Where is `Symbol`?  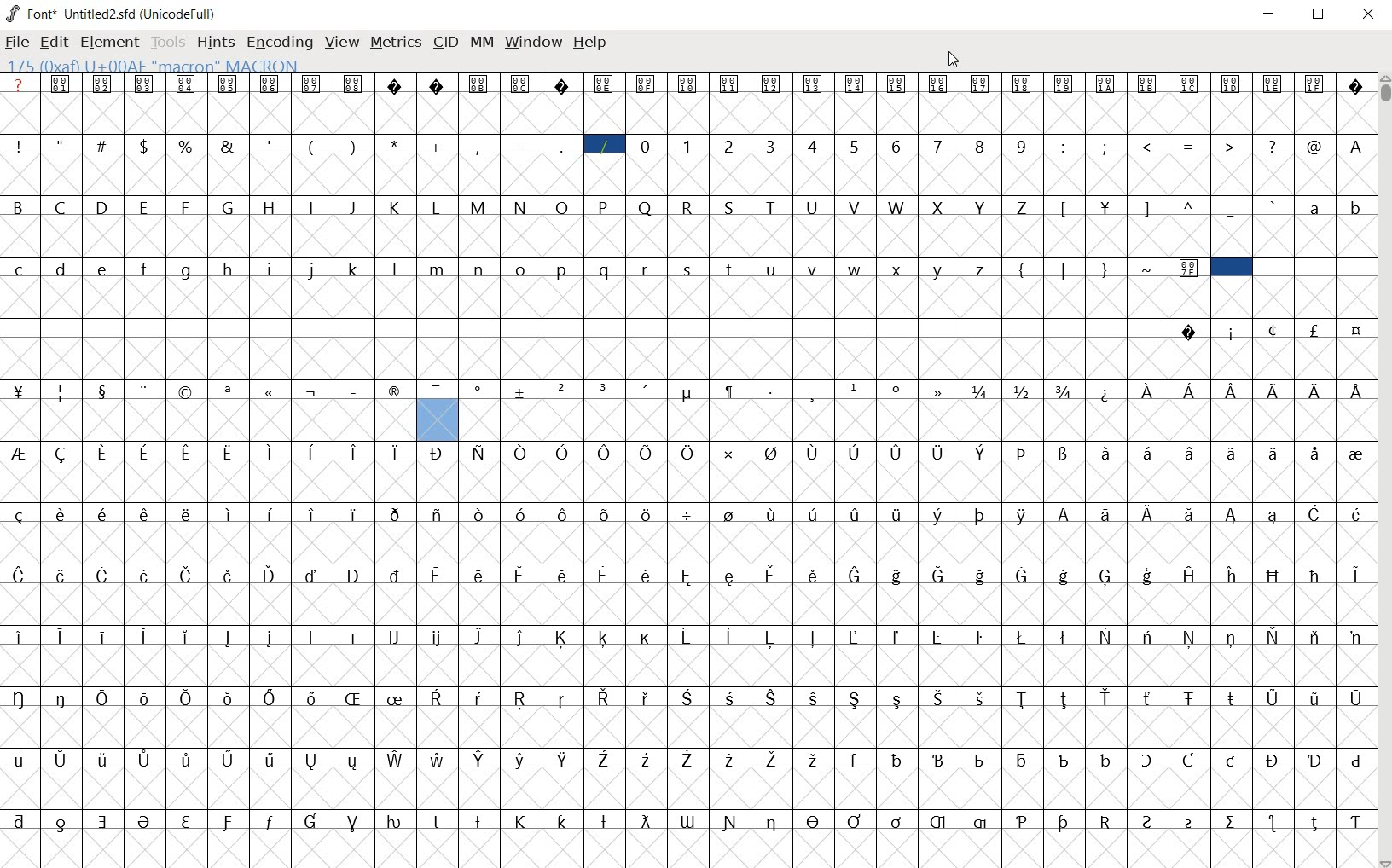 Symbol is located at coordinates (357, 697).